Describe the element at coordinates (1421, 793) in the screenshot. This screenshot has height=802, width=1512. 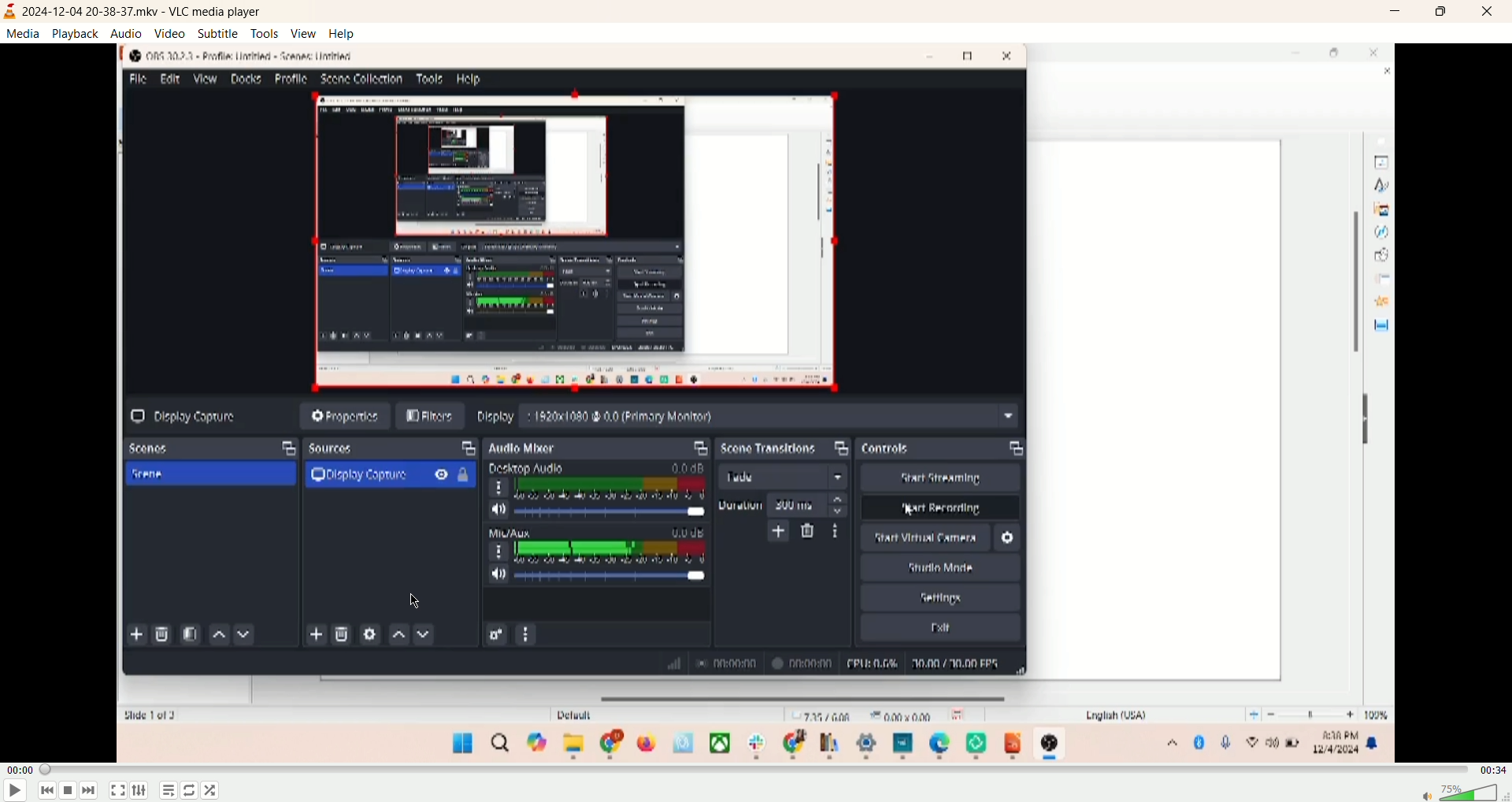
I see `mute` at that location.